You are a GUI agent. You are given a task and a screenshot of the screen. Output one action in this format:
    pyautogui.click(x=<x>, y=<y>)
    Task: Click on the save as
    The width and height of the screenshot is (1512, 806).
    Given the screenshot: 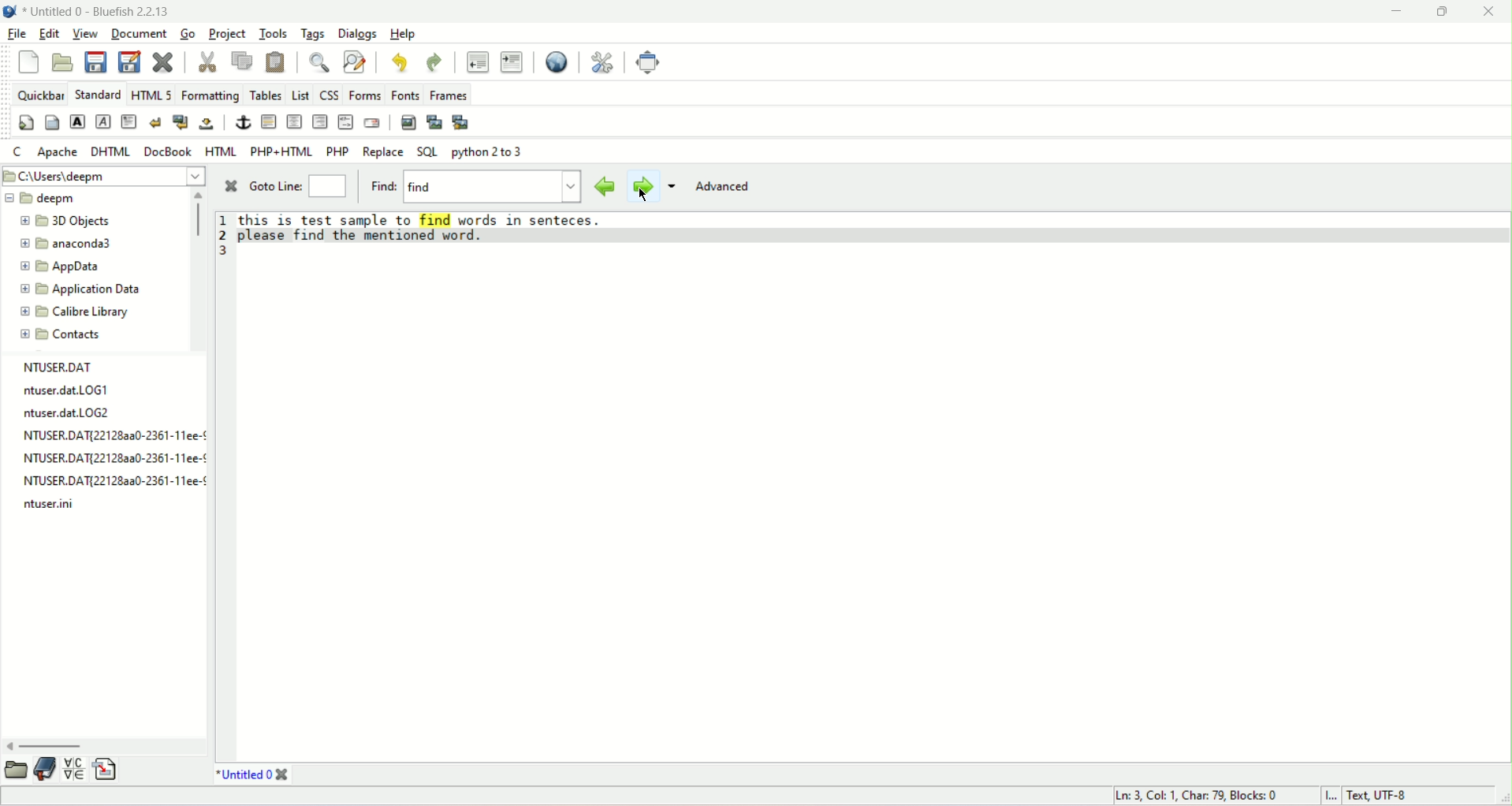 What is the action you would take?
    pyautogui.click(x=130, y=61)
    